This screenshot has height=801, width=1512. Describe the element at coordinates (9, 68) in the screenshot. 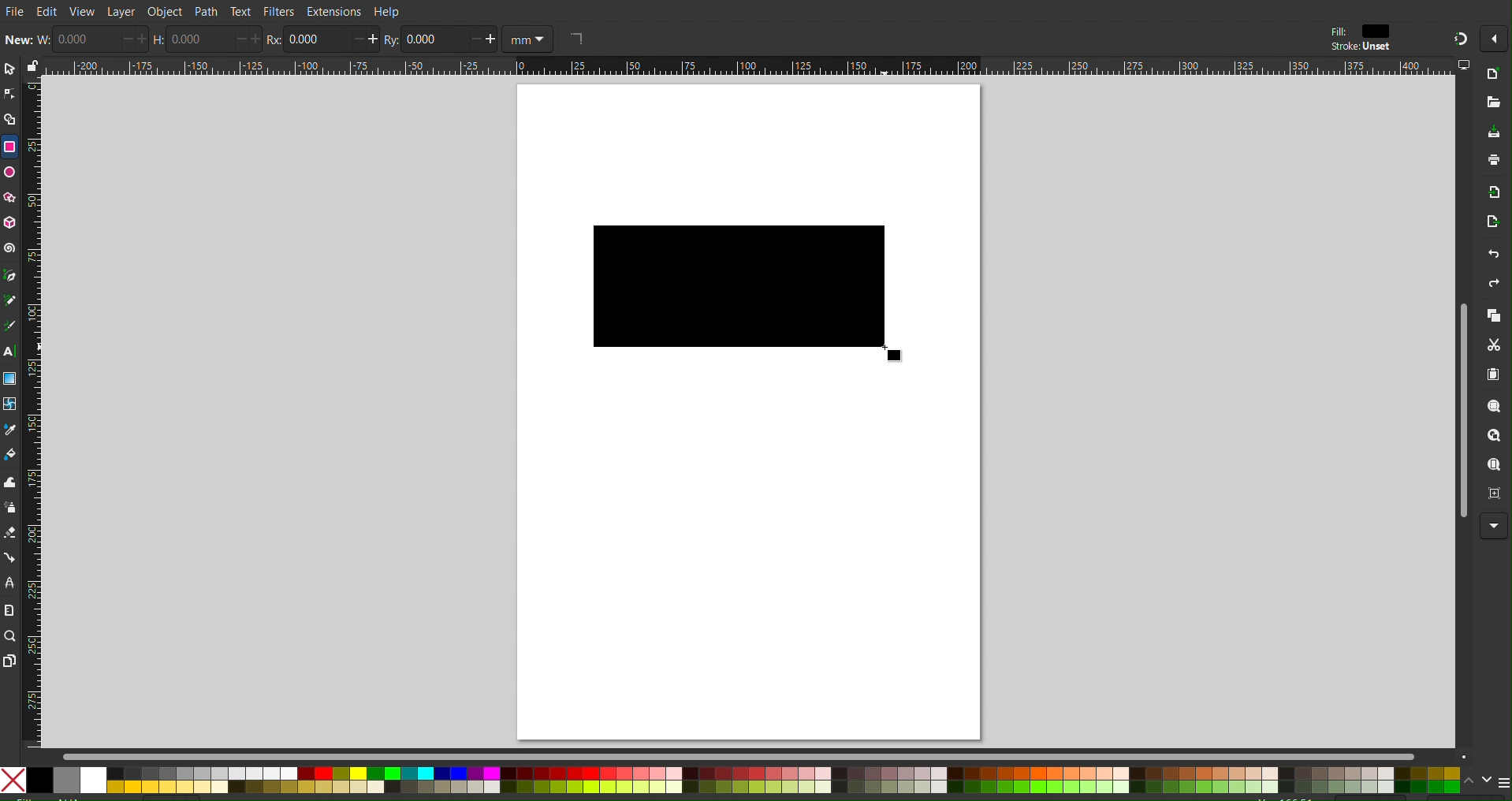

I see `Select` at that location.